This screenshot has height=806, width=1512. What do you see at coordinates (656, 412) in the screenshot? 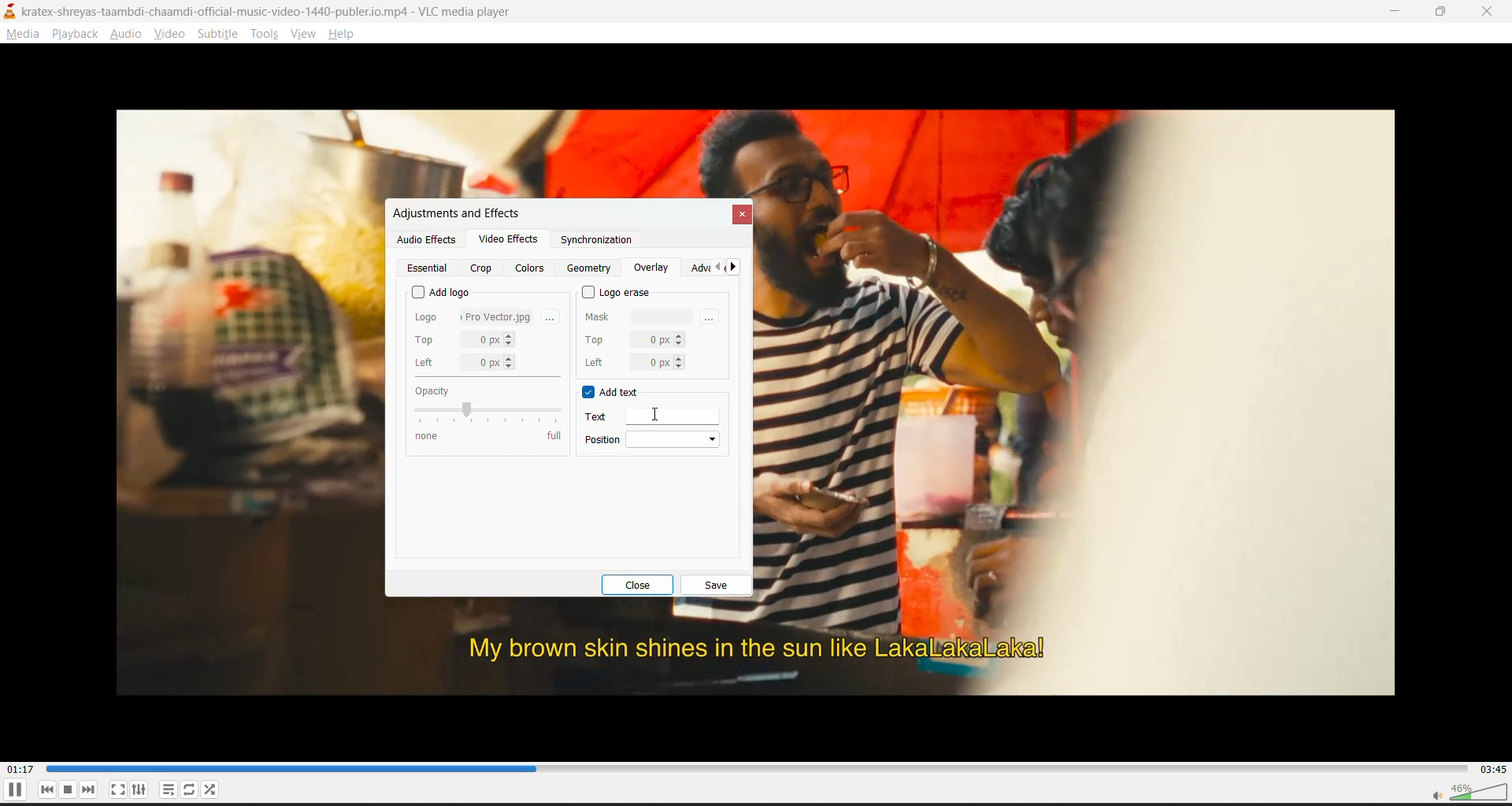
I see `text cursor` at bounding box center [656, 412].